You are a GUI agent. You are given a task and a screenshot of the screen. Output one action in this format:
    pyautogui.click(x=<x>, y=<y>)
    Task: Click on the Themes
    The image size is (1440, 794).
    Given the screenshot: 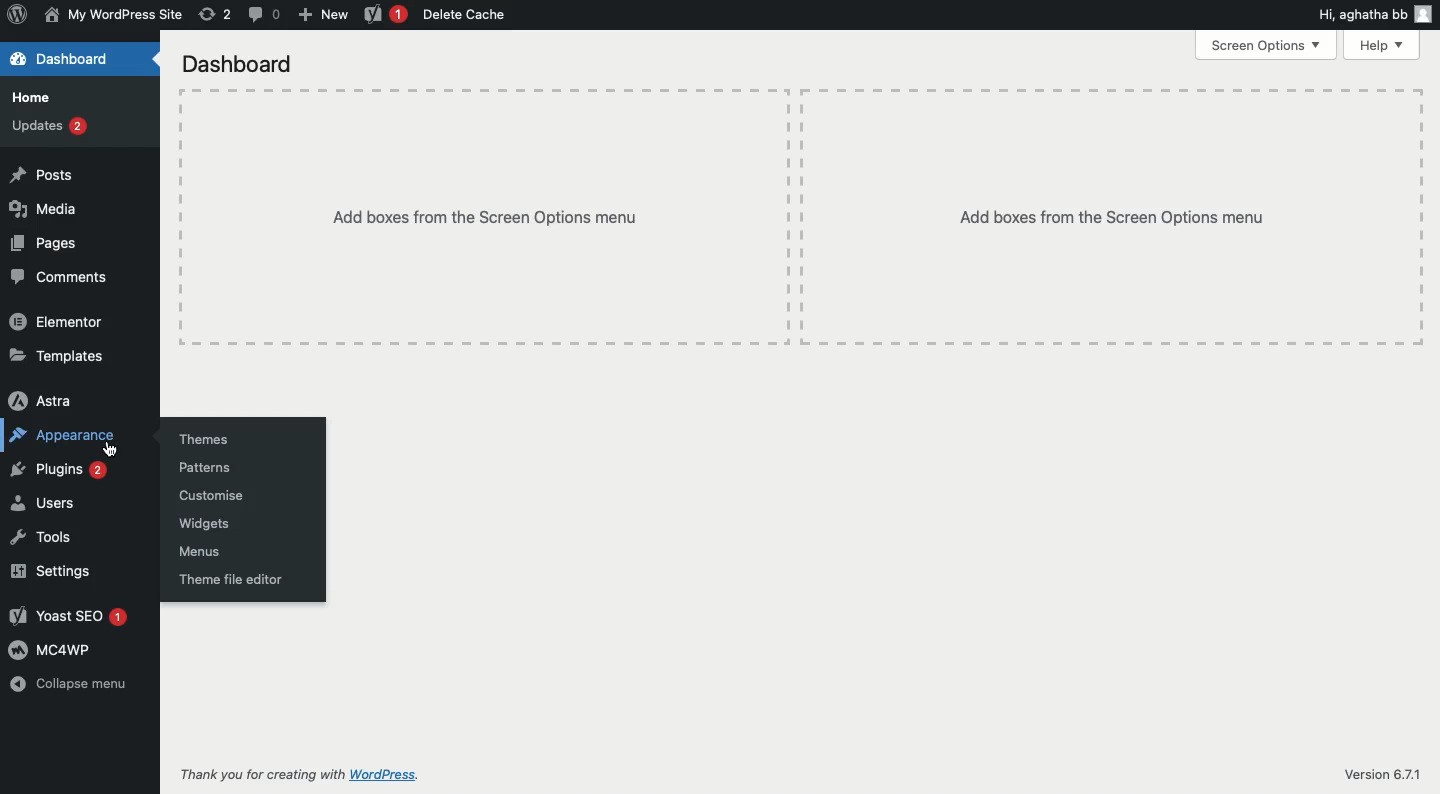 What is the action you would take?
    pyautogui.click(x=205, y=441)
    